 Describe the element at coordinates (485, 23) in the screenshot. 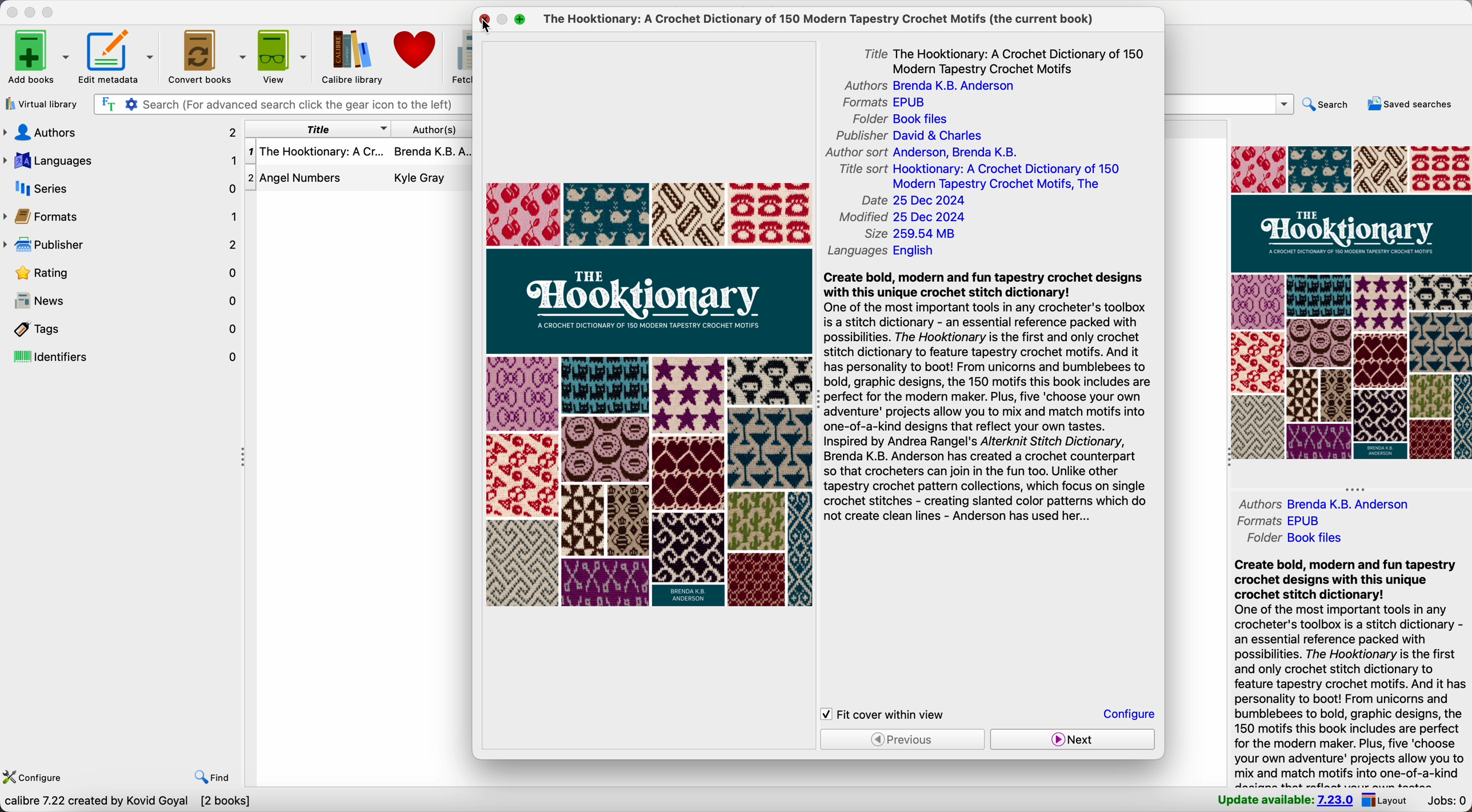

I see `click on close pop-up` at that location.